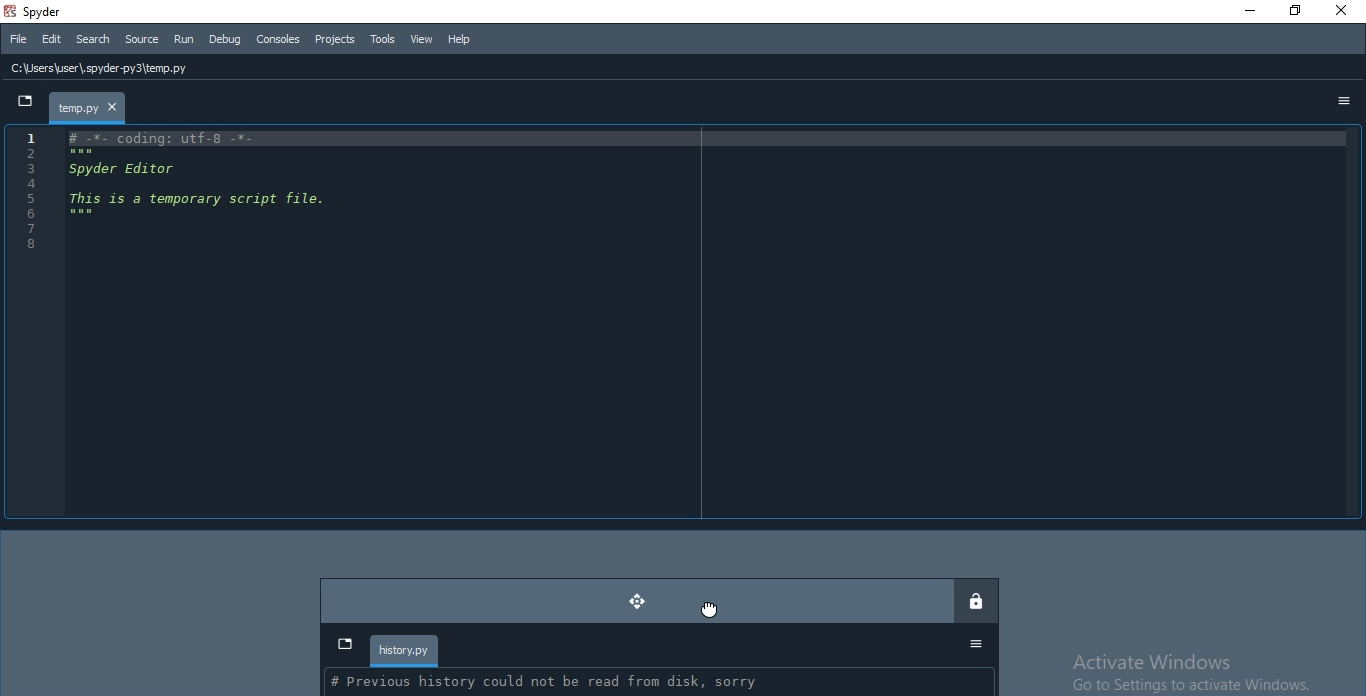  Describe the element at coordinates (460, 39) in the screenshot. I see `Help` at that location.